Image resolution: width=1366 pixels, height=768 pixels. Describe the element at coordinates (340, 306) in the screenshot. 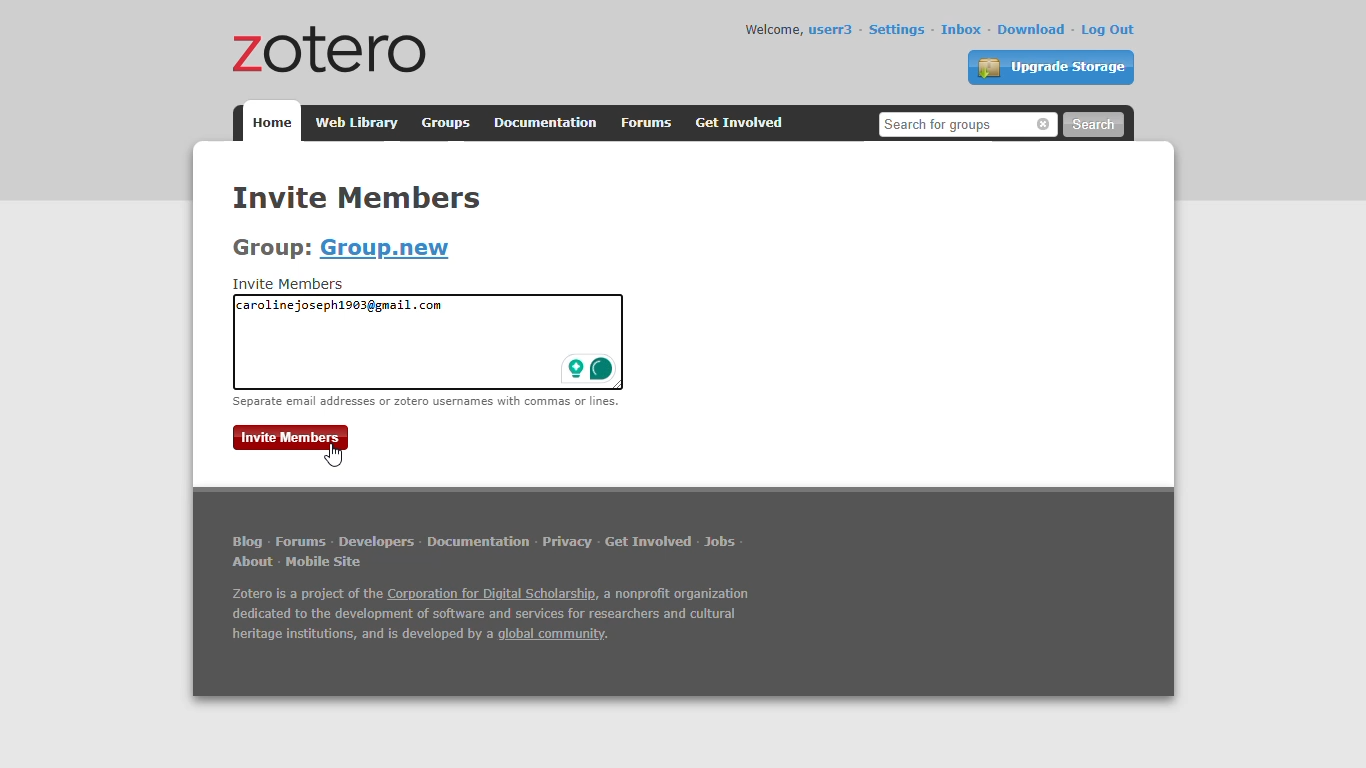

I see `email added for invite` at that location.